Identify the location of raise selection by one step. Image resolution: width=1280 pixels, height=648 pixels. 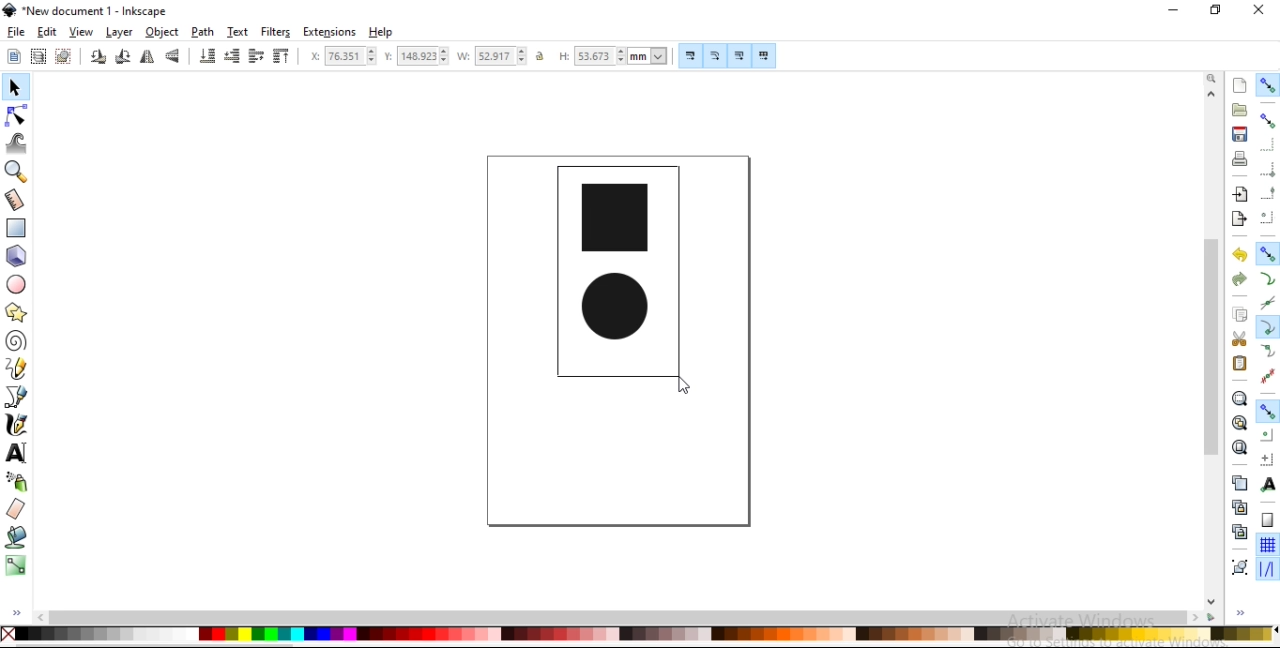
(257, 59).